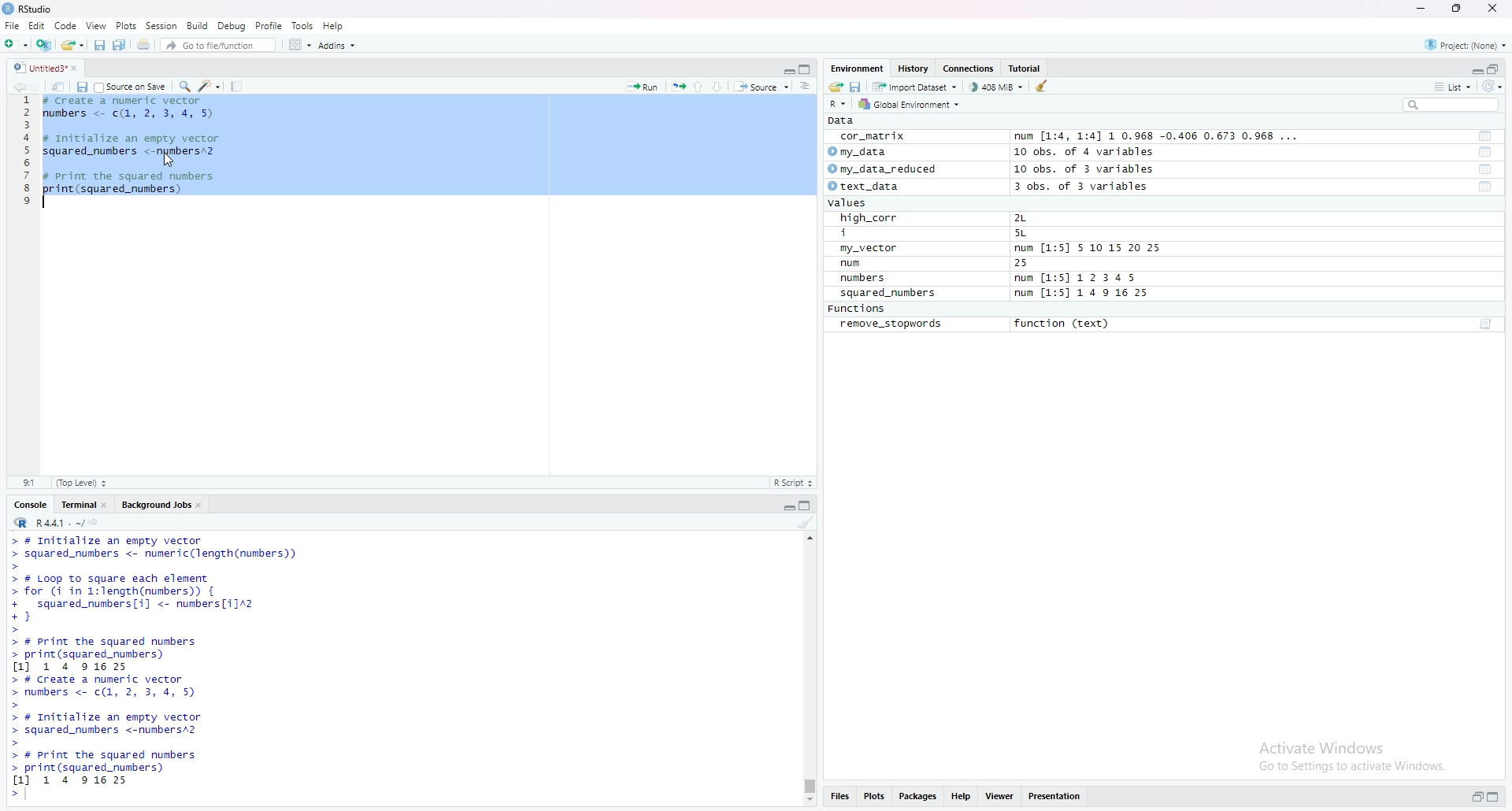 The width and height of the screenshot is (1512, 811). What do you see at coordinates (36, 25) in the screenshot?
I see `Edit` at bounding box center [36, 25].